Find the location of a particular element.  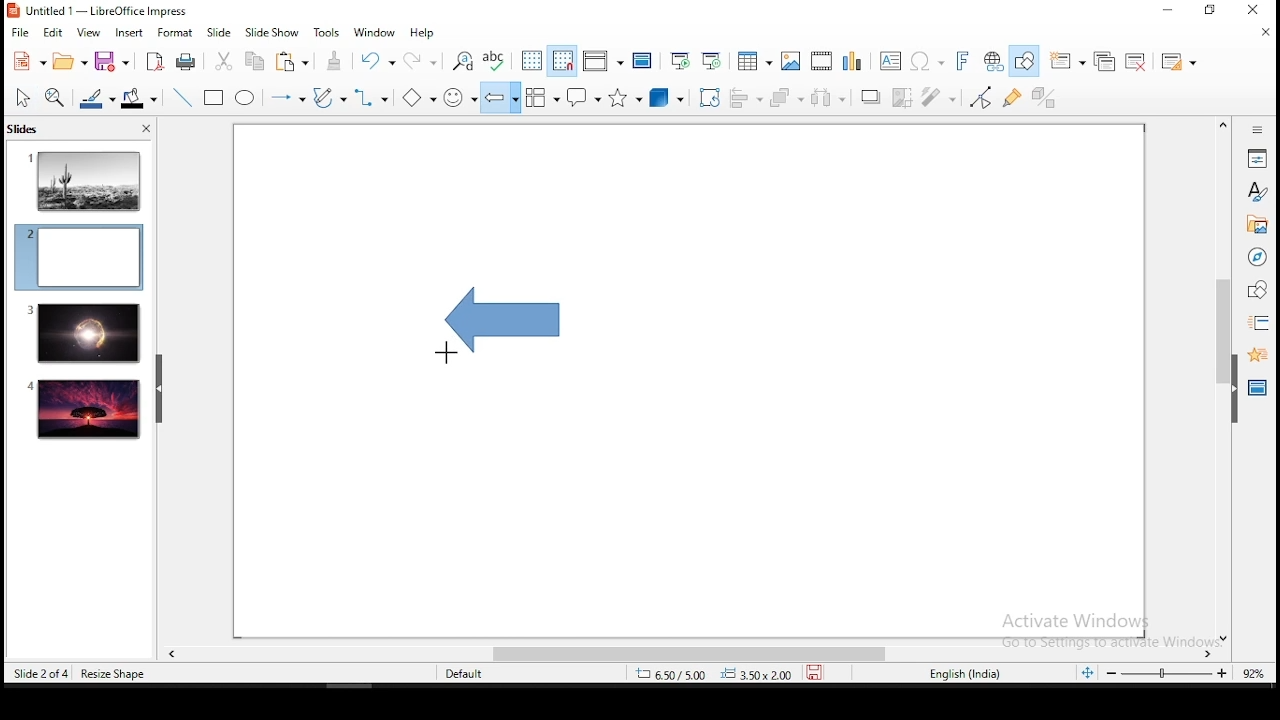

0.00x0.00 is located at coordinates (757, 674).